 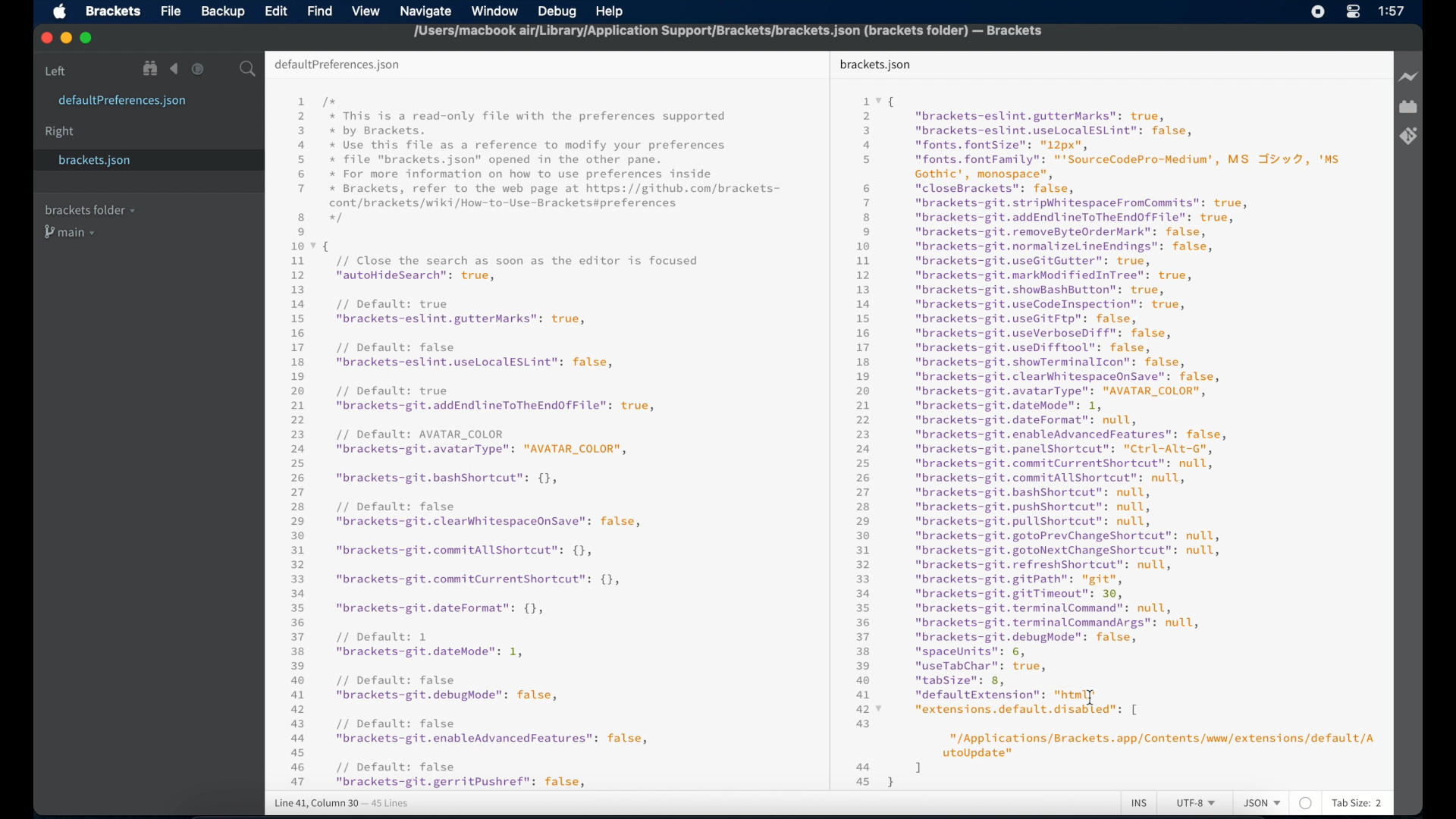 What do you see at coordinates (533, 441) in the screenshot?
I see `1 /x

2 x This is a read-only file with the preferences supported

3 by Brackets.

4 x Use this file as a reference to modify your preferences

5 x file "brackets.json" opened in the other pane.

6 x For more information on how to use preferences inside

7 x Brackets, refer to the web page at https://github.com/brackets-
cont/brackets/wiki/How-to-Use-Brackets#preferences

8 x

9

107 {

11 // Close the search as soon as the editor is focused

12 "autoHideSearch": true,

13

14 // Default: true

15 "brackets-eslint.gutterMarks": true,

16

17 // Default: false

18 "brackets-eslint.useLocalESLint": false,

19

20 // Default: true

21 "brackets-git.addEndlineToTheEndOfFile": true,

22

23 // Default: AVATAR_COLOR

24 "brackets-git.avatarType": "AVATAR_COLOR",

25

26 "brackets-git.bashshortcut": {},

27

28 // Default: false

29 "brackets-git.clearWhitespaceOnSave": false,

30

31 "brackets-git.commitAllShortcut": {},

32

33 "brackets-git.commitCurrentShortcut": {},

34

35  "brackets-git.dateFormat": {},

36

37 // Default: 1

38 "brackets-git.dateMode": 1,

39

40 // Default: false

41 "brackets-git.debughode": false,

42

43 // Default: false

44 "brackets-git.enableAdvancedFeatures": false,

45

46 // Default: false

47  "brackets-git.gerritPushref": false,` at bounding box center [533, 441].